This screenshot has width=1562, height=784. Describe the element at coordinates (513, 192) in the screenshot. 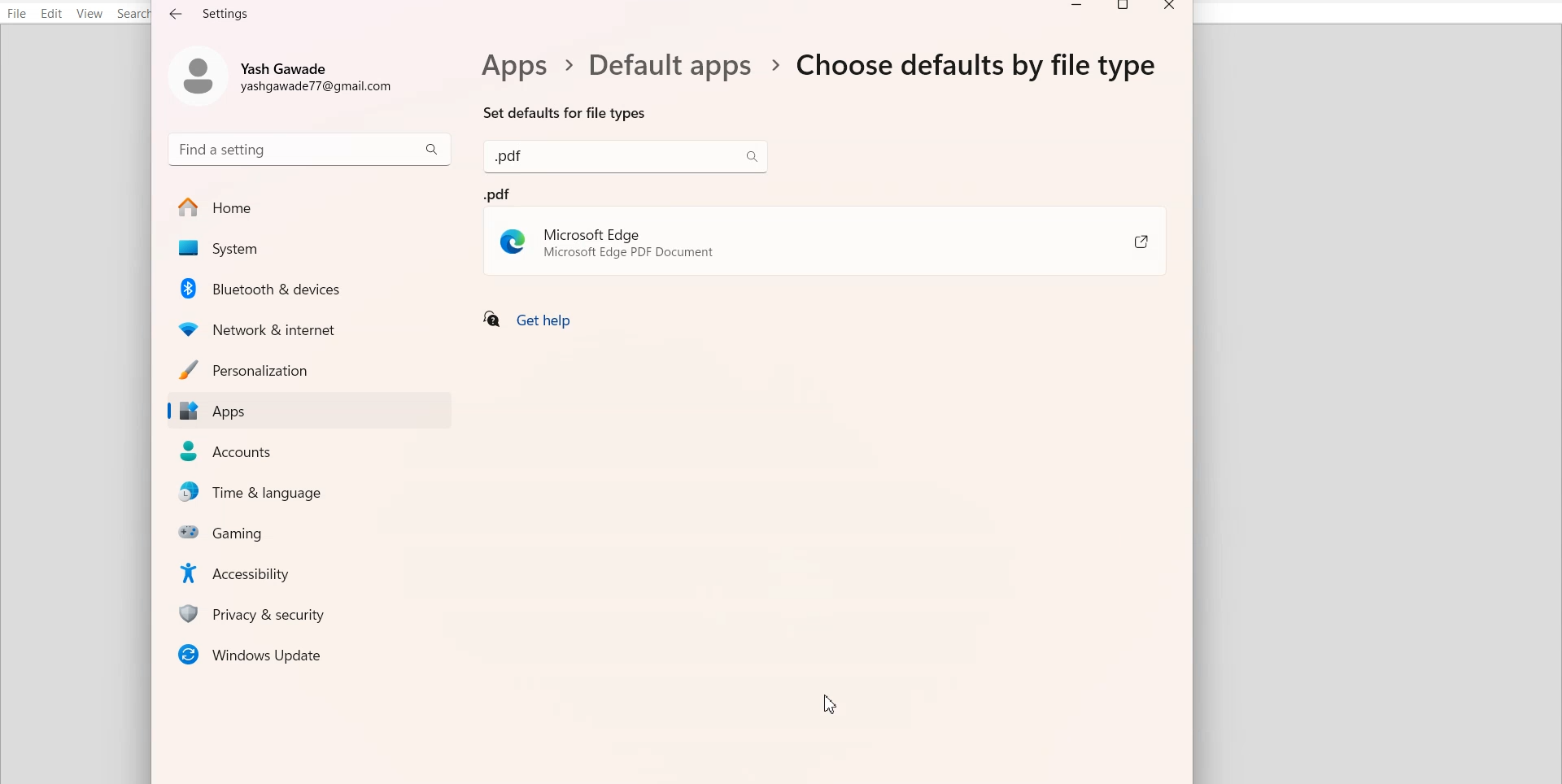

I see `pdf` at that location.